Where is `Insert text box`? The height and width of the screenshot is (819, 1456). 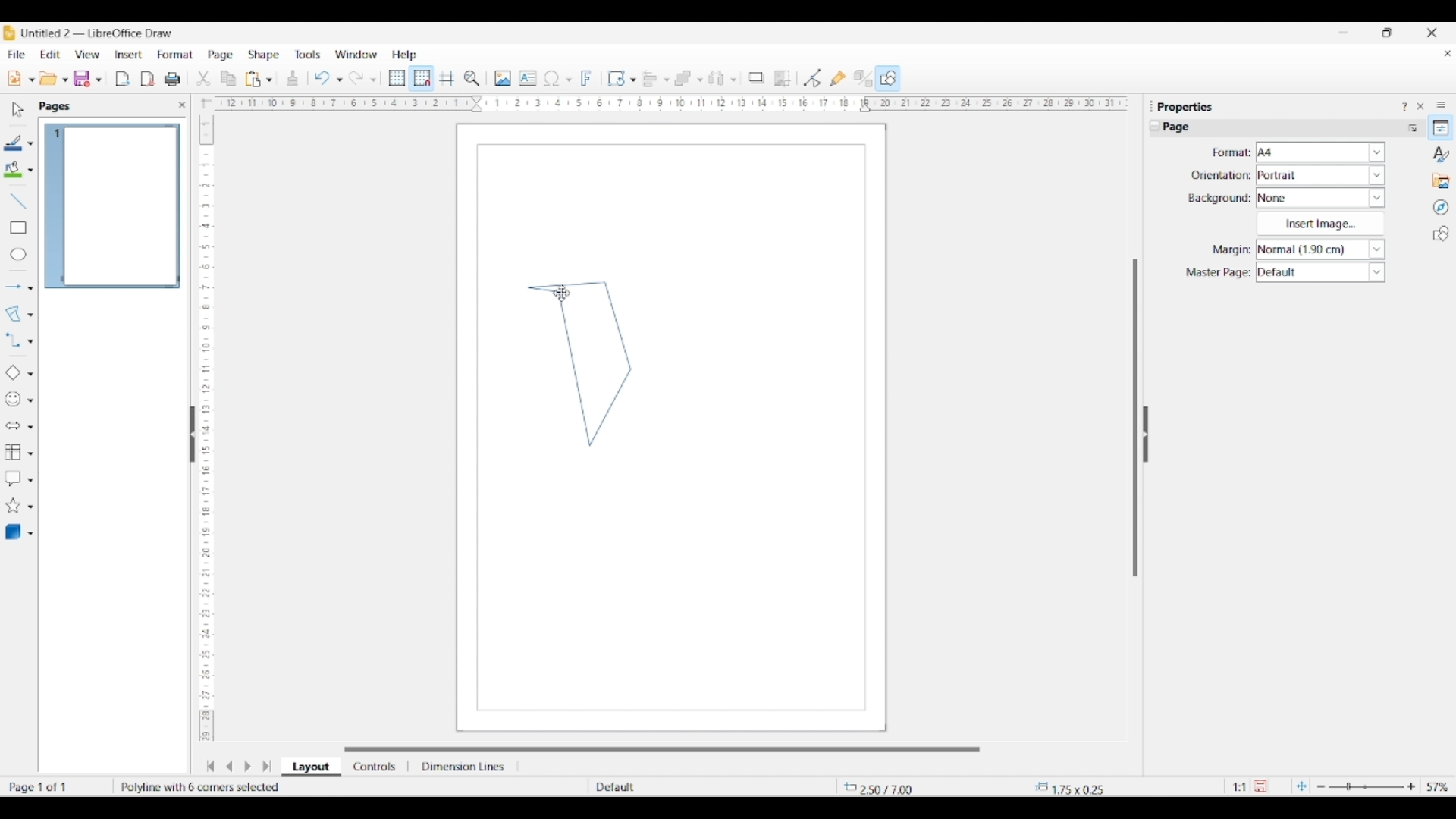 Insert text box is located at coordinates (528, 78).